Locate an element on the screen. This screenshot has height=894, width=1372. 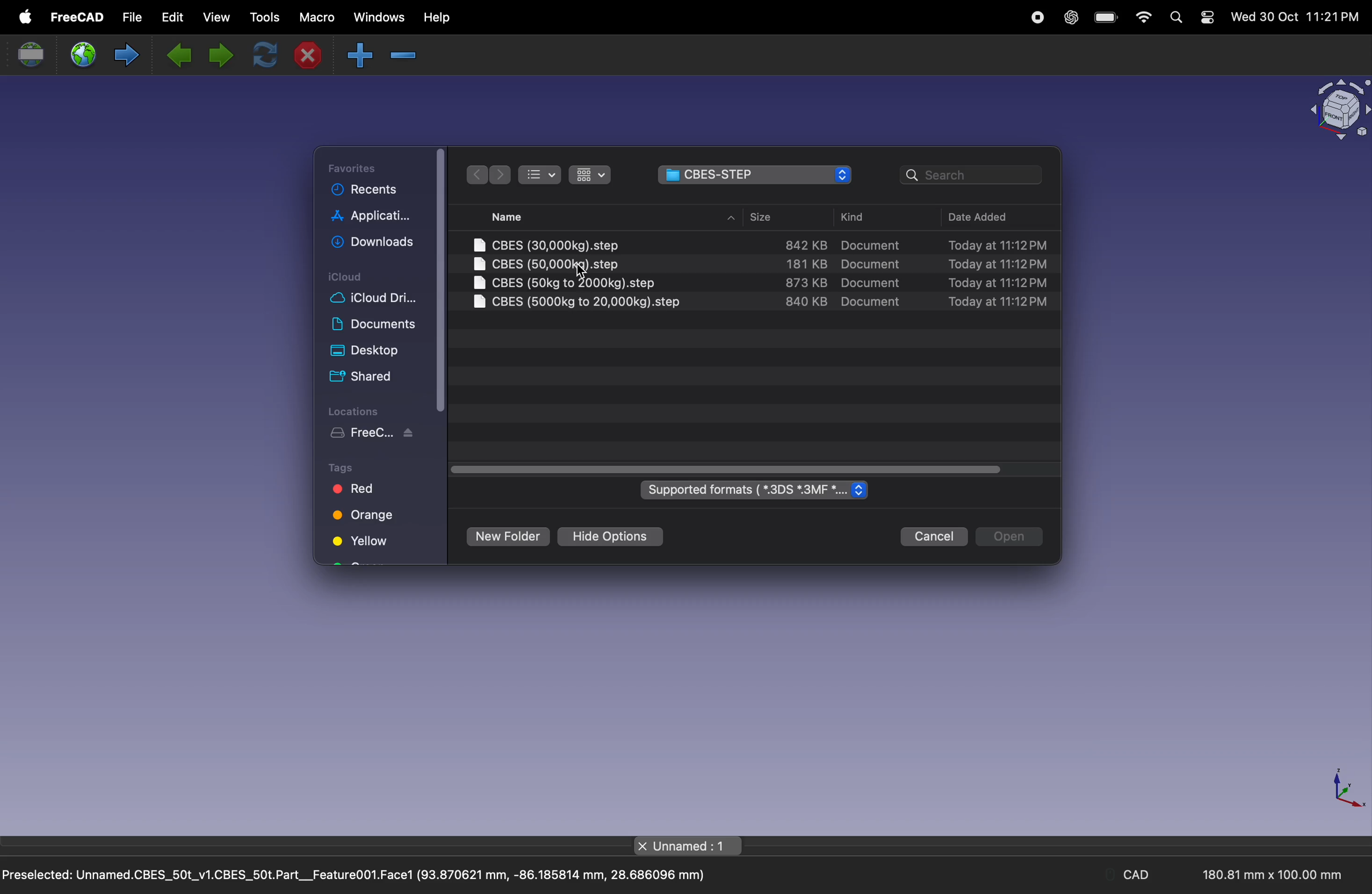
edit is located at coordinates (176, 21).